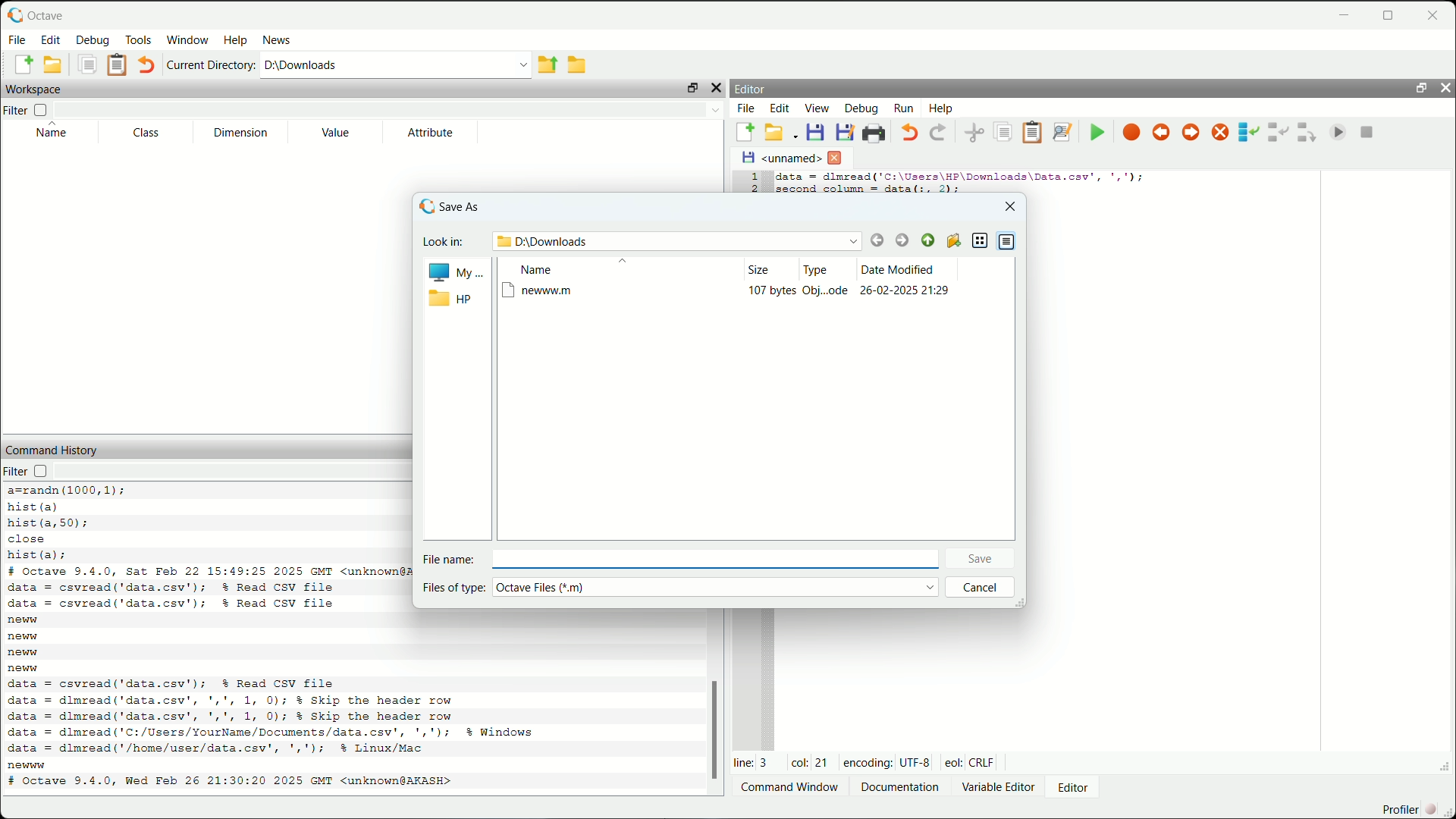 The width and height of the screenshot is (1456, 819). What do you see at coordinates (448, 558) in the screenshot?
I see `file name` at bounding box center [448, 558].